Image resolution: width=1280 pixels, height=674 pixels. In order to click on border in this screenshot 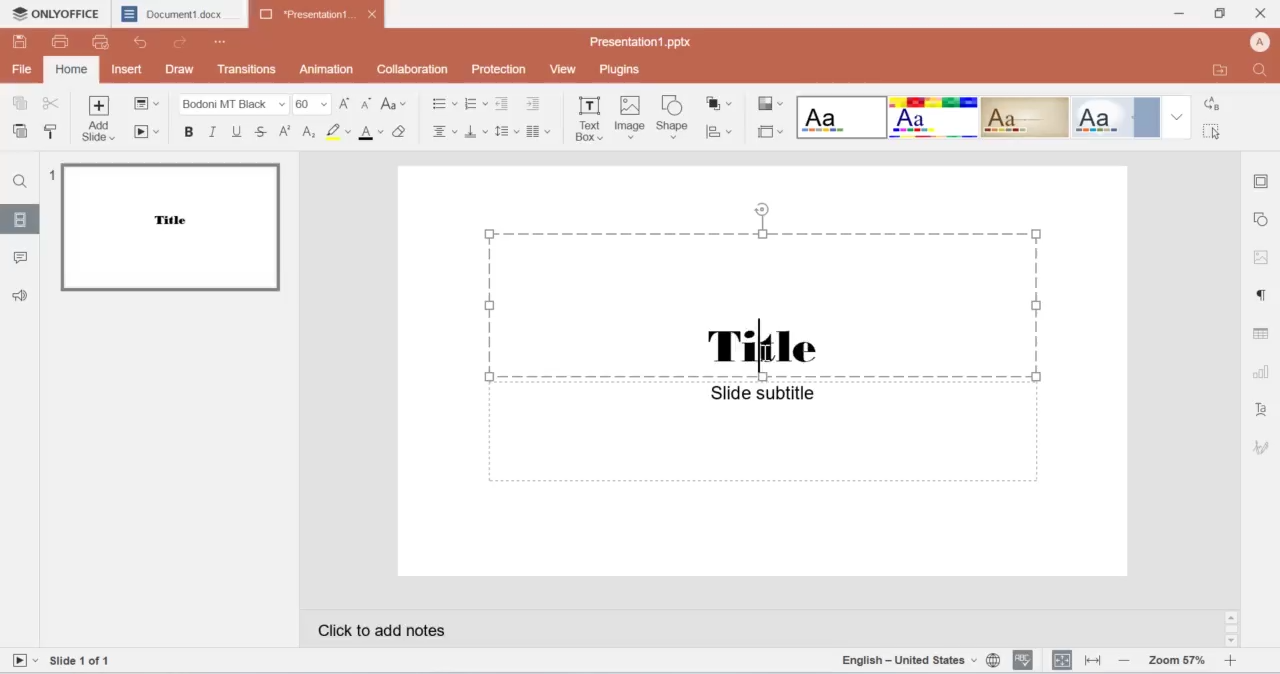, I will do `click(767, 131)`.